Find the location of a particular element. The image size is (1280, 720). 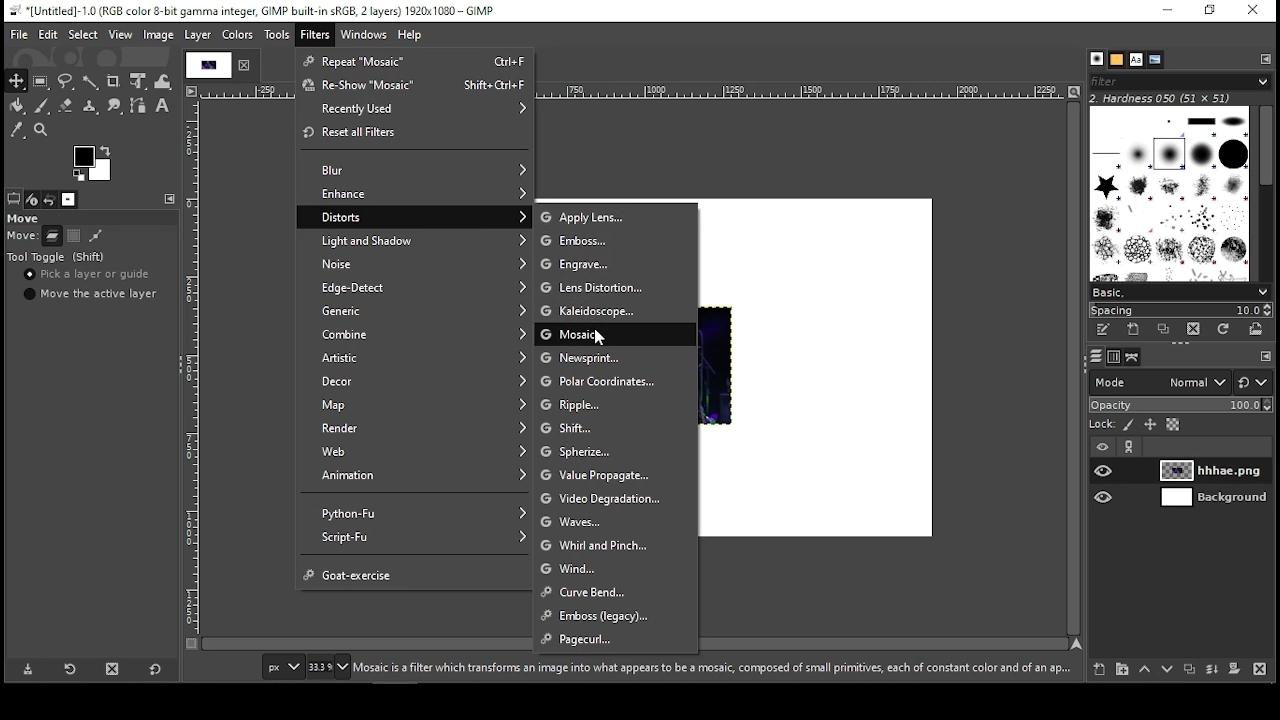

scroll bar is located at coordinates (1076, 368).